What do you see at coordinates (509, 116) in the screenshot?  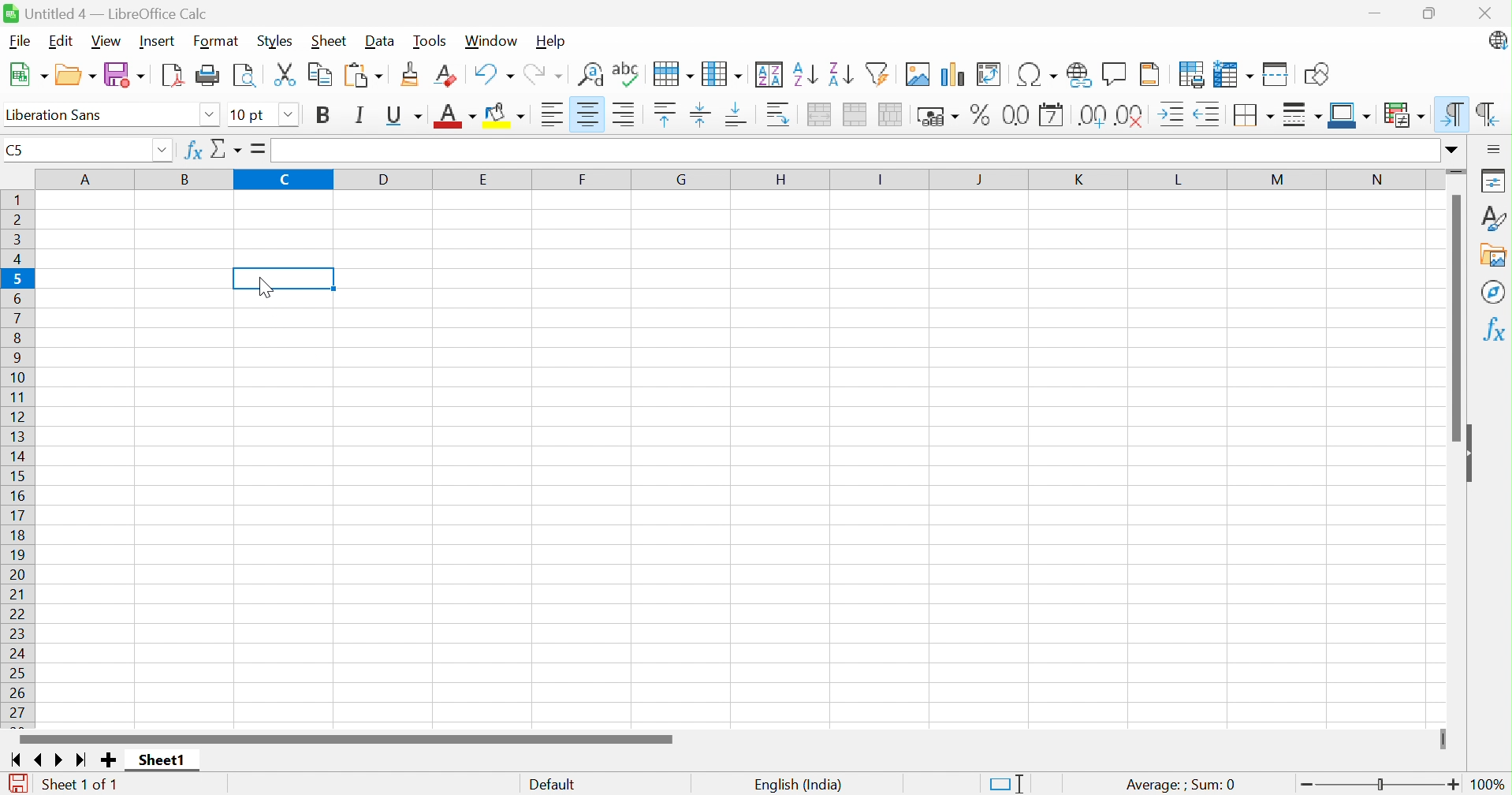 I see `Background Color` at bounding box center [509, 116].